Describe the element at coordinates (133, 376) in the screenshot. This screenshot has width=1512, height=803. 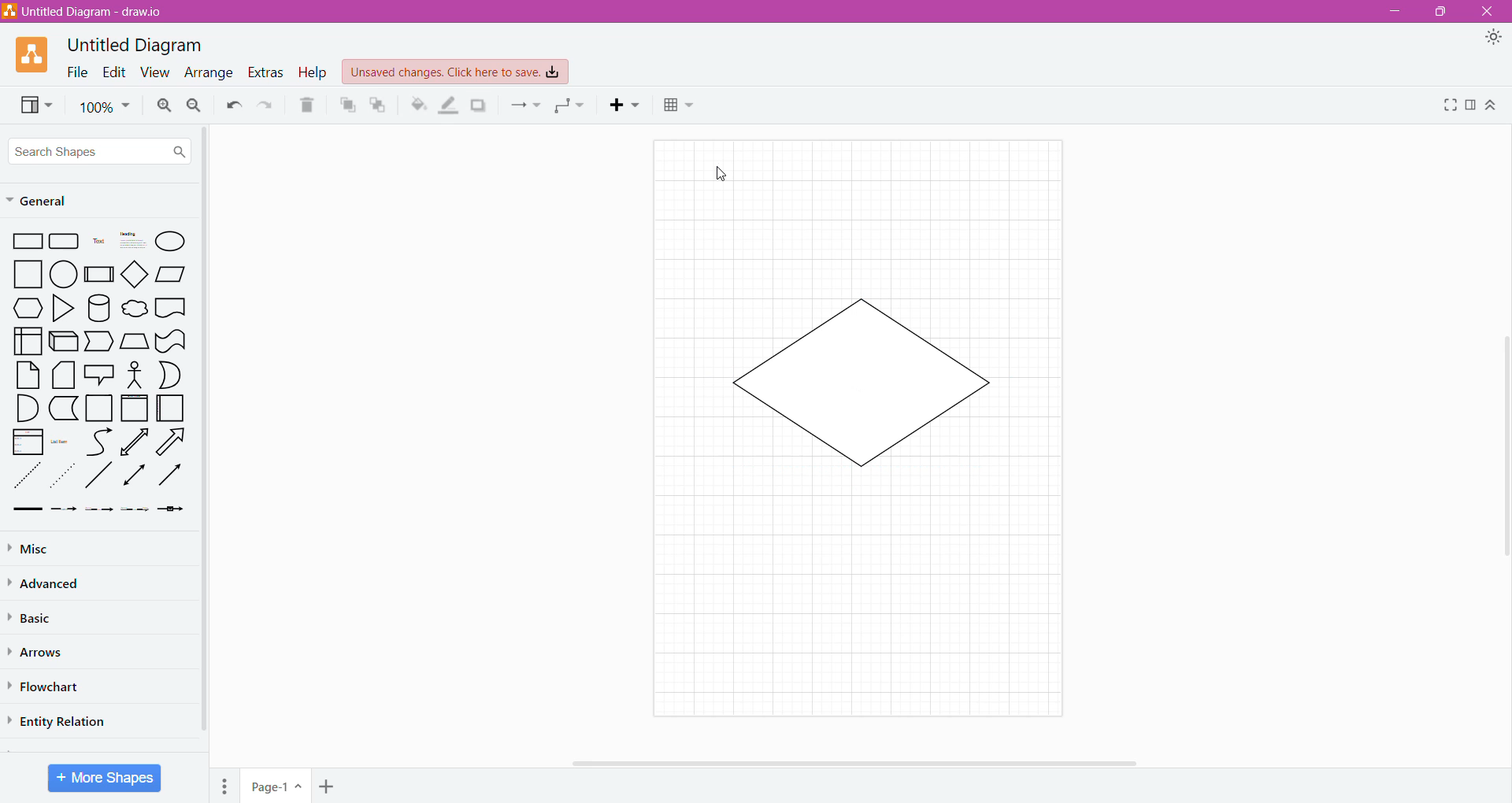
I see `Actor` at that location.